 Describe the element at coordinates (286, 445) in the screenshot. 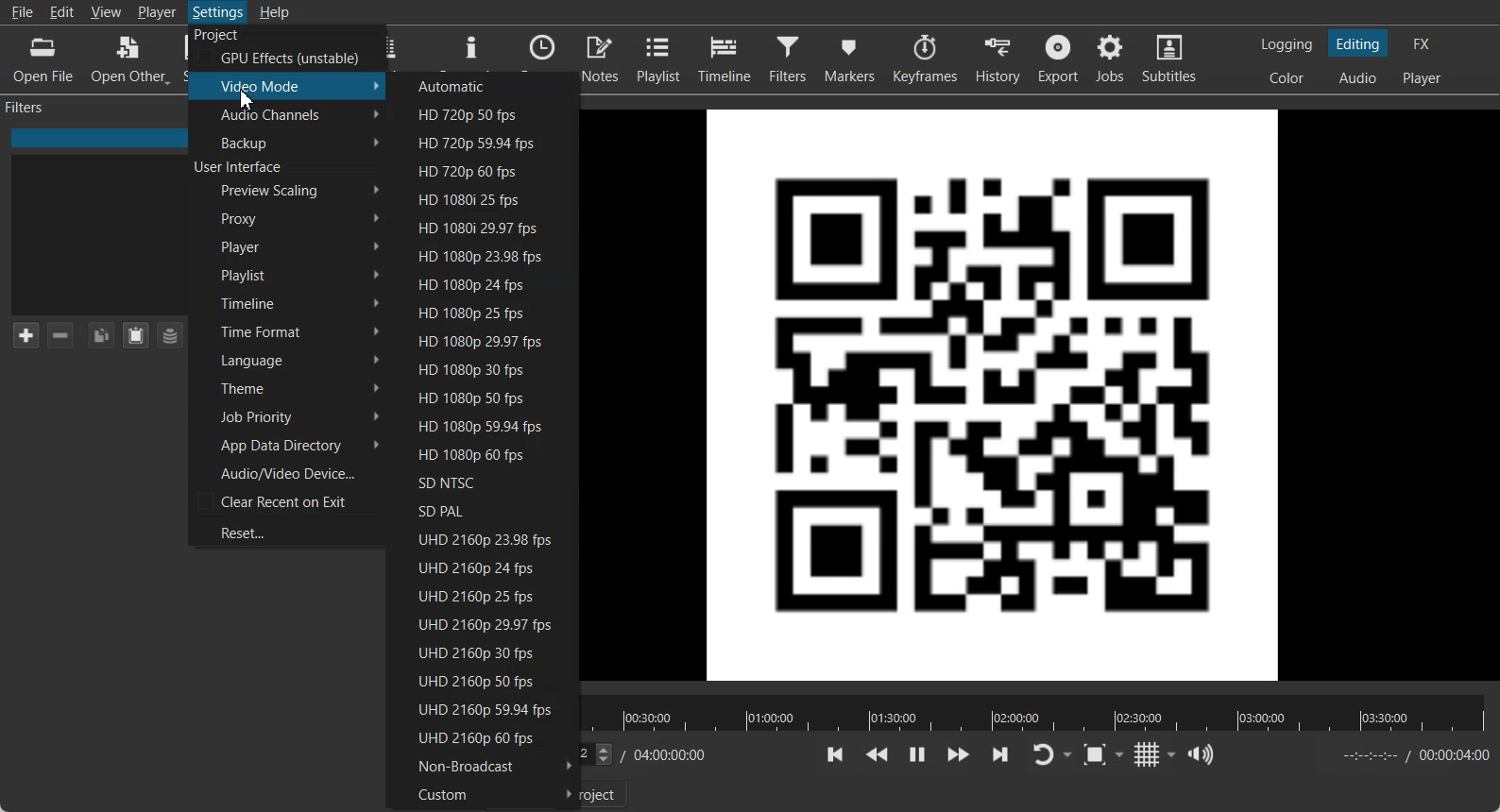

I see `App Data Directory` at that location.